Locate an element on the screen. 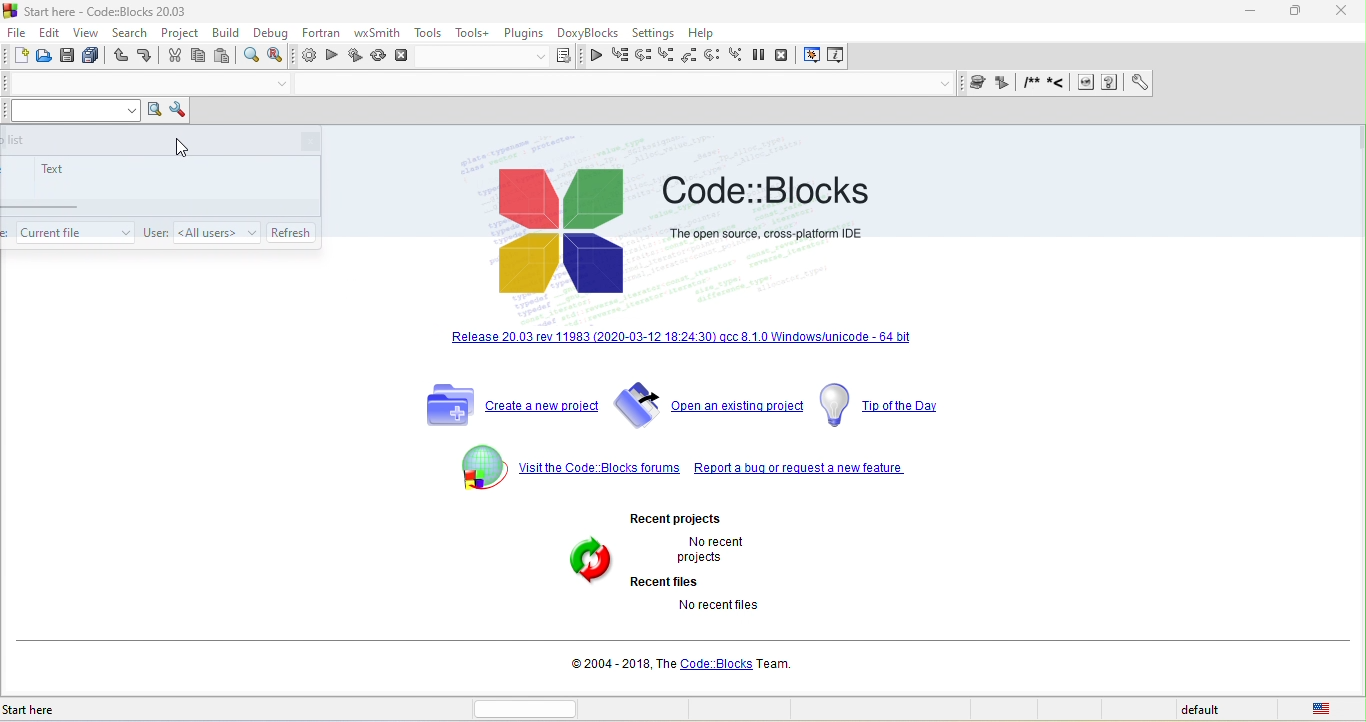 This screenshot has height=722, width=1366. doxy wizard is located at coordinates (981, 83).